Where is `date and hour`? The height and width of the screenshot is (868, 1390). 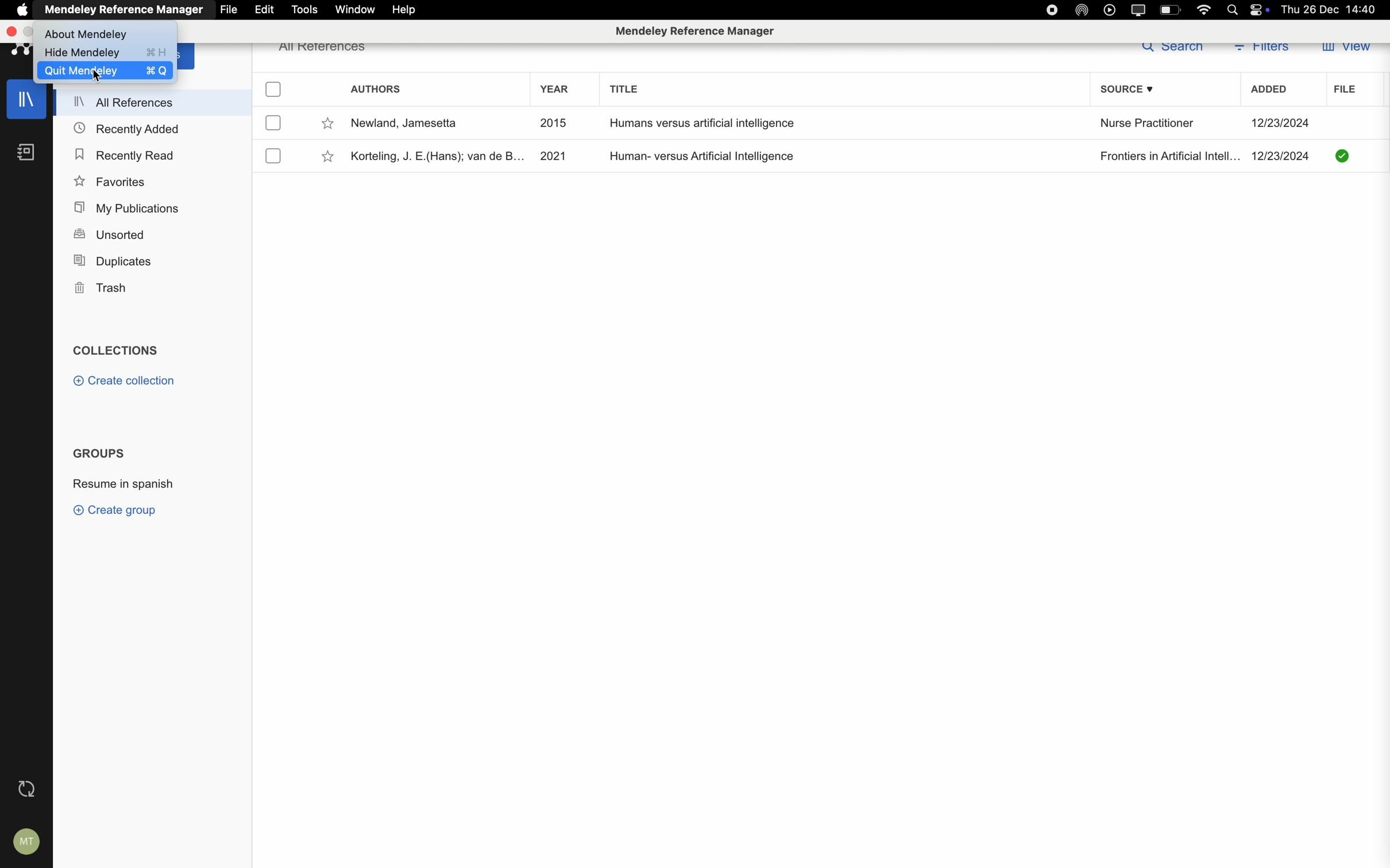 date and hour is located at coordinates (1333, 9).